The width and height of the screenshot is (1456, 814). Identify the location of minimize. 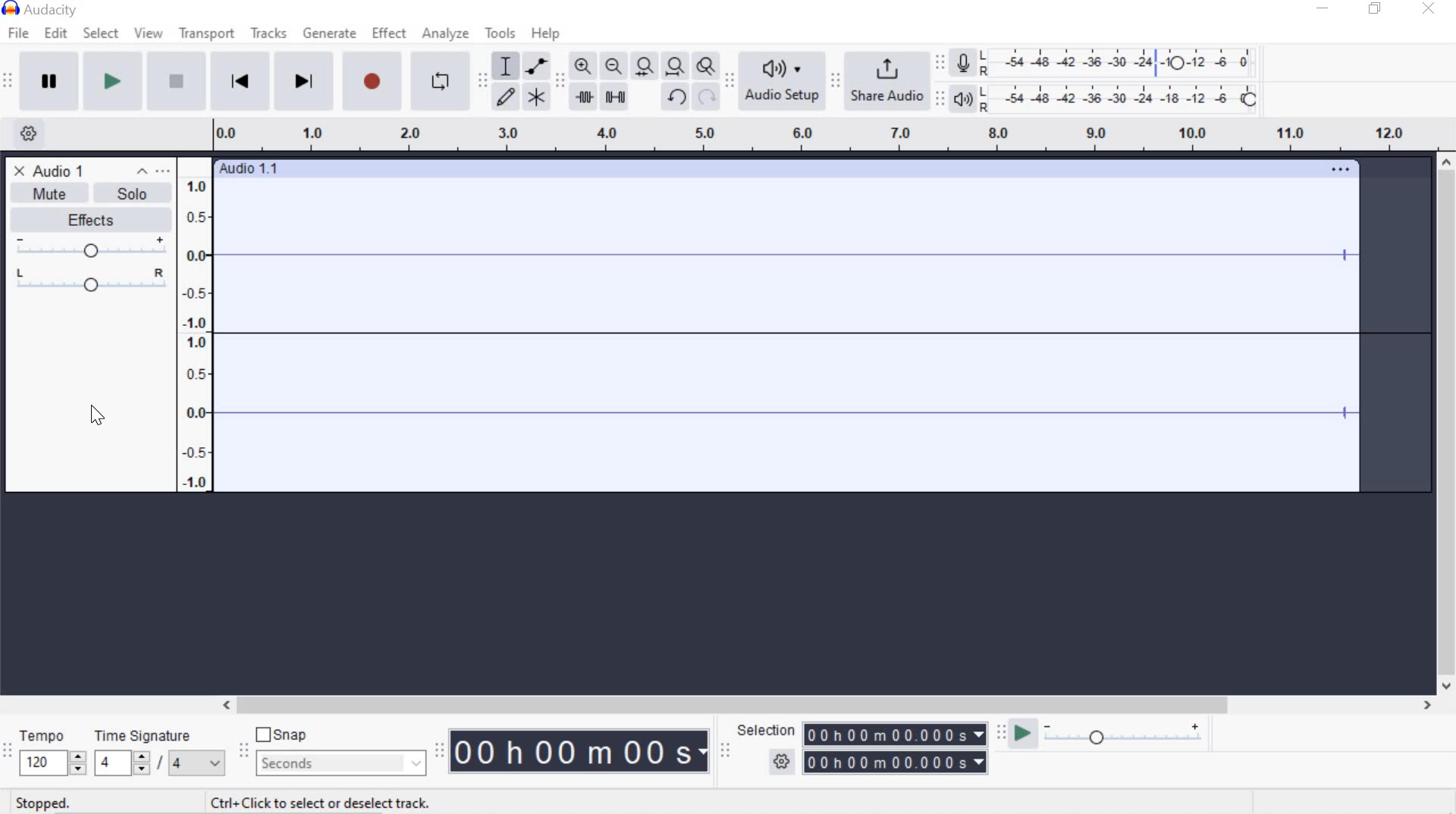
(1323, 11).